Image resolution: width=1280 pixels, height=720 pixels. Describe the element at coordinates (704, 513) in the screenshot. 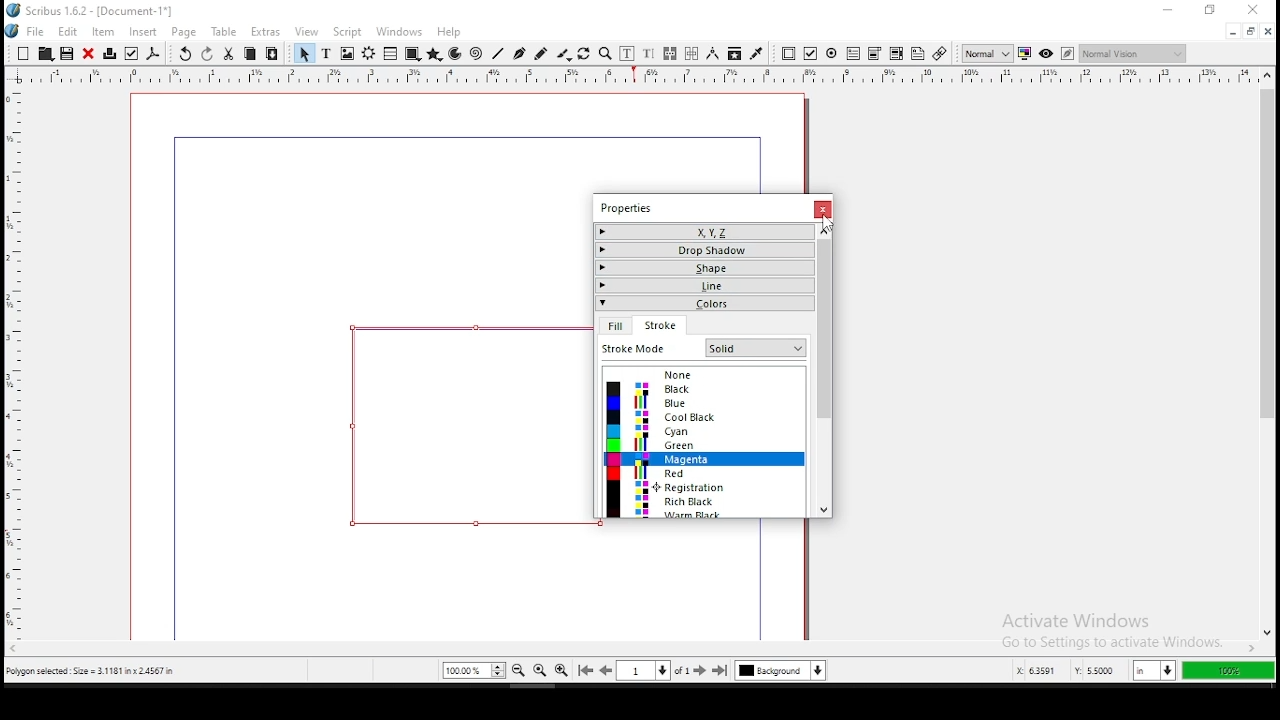

I see `warm black` at that location.